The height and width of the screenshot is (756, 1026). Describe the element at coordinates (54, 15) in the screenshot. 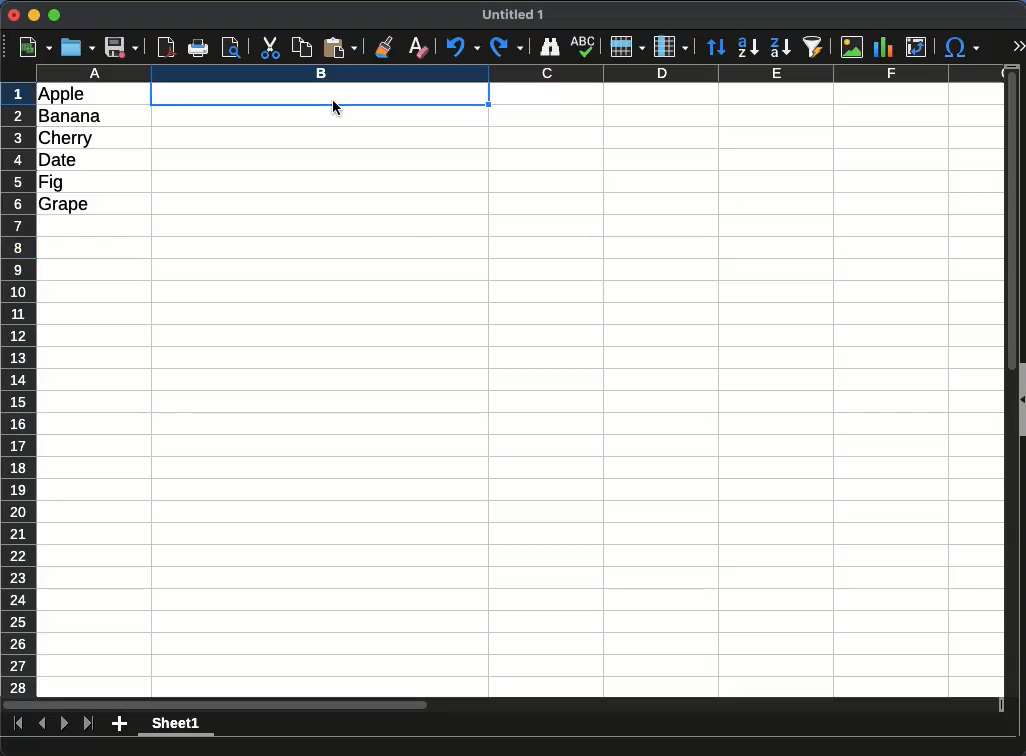

I see `maximize` at that location.